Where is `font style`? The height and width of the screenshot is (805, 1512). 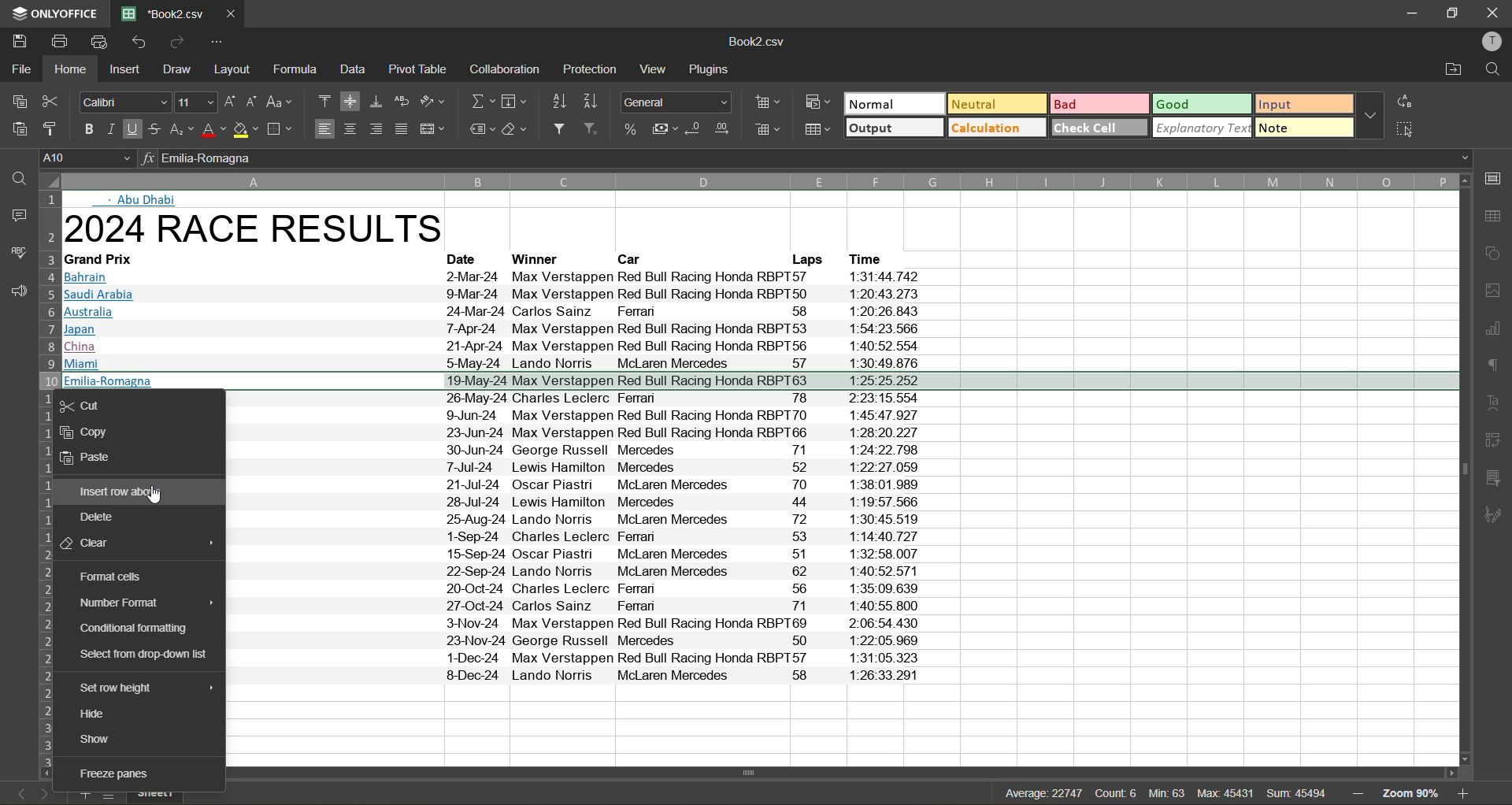
font style is located at coordinates (126, 102).